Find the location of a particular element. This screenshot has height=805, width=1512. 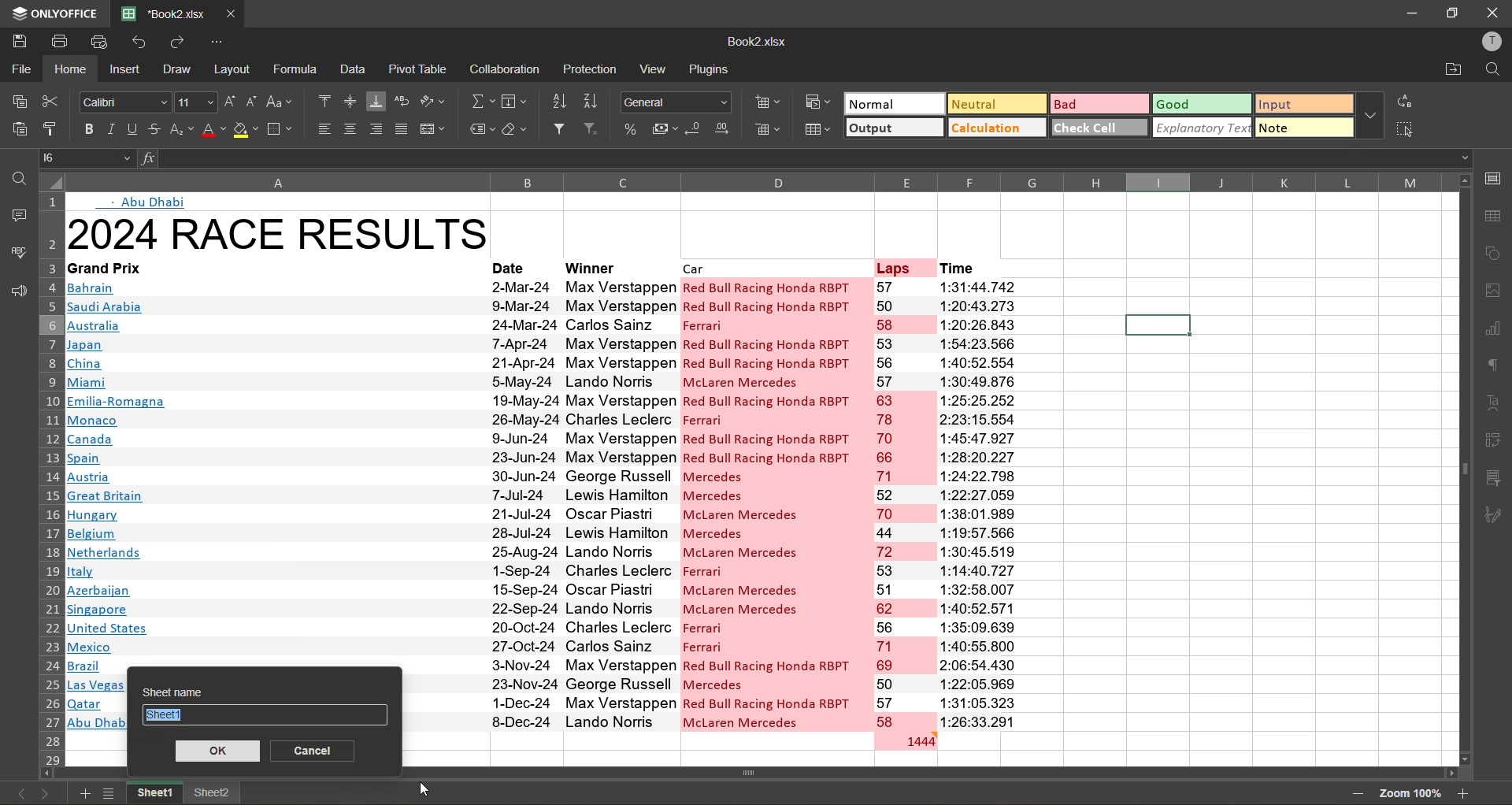

save is located at coordinates (17, 39).